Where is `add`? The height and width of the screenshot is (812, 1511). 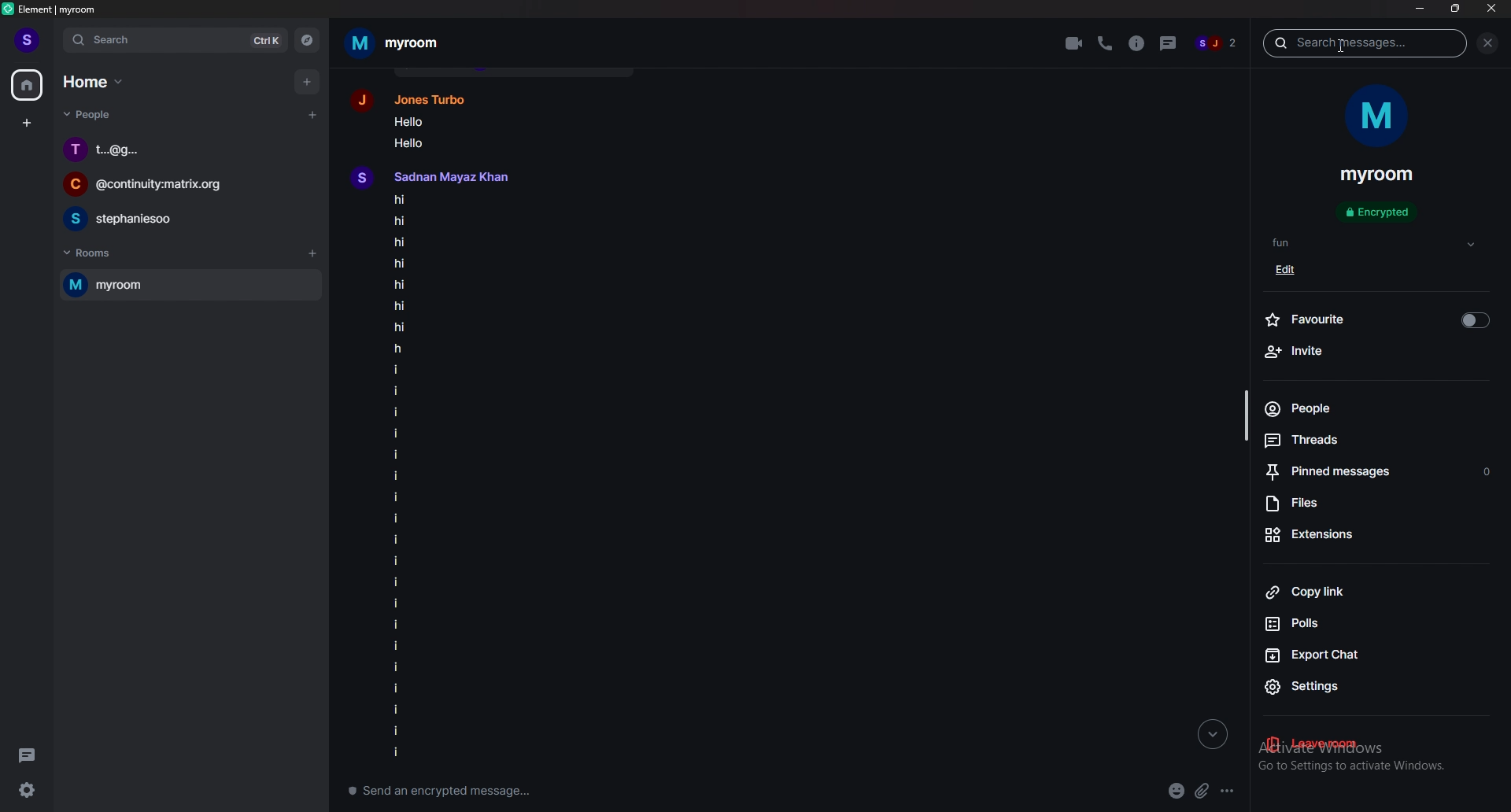
add is located at coordinates (308, 83).